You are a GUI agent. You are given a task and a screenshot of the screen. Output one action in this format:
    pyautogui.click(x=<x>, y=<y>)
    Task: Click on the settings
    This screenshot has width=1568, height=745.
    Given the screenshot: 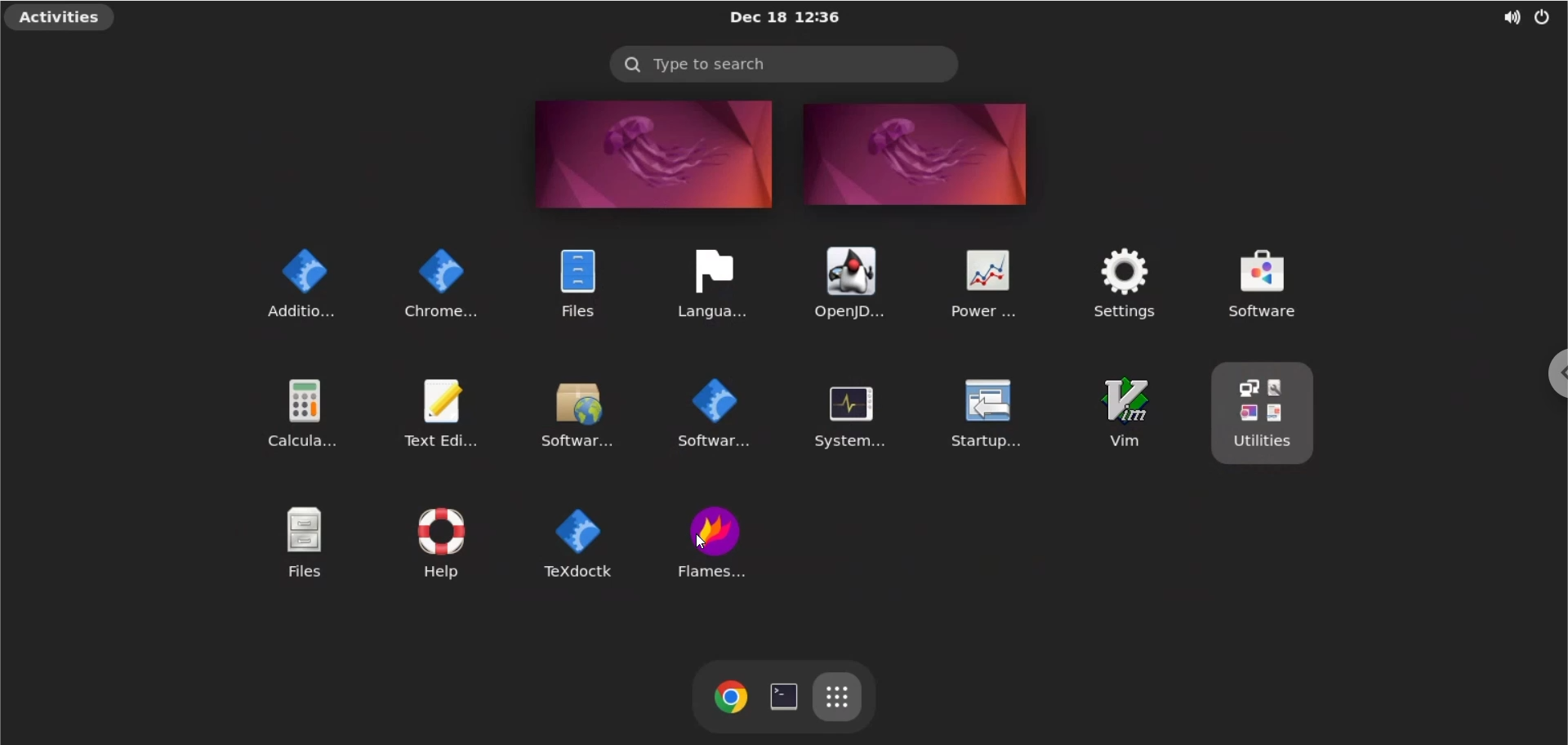 What is the action you would take?
    pyautogui.click(x=1119, y=282)
    